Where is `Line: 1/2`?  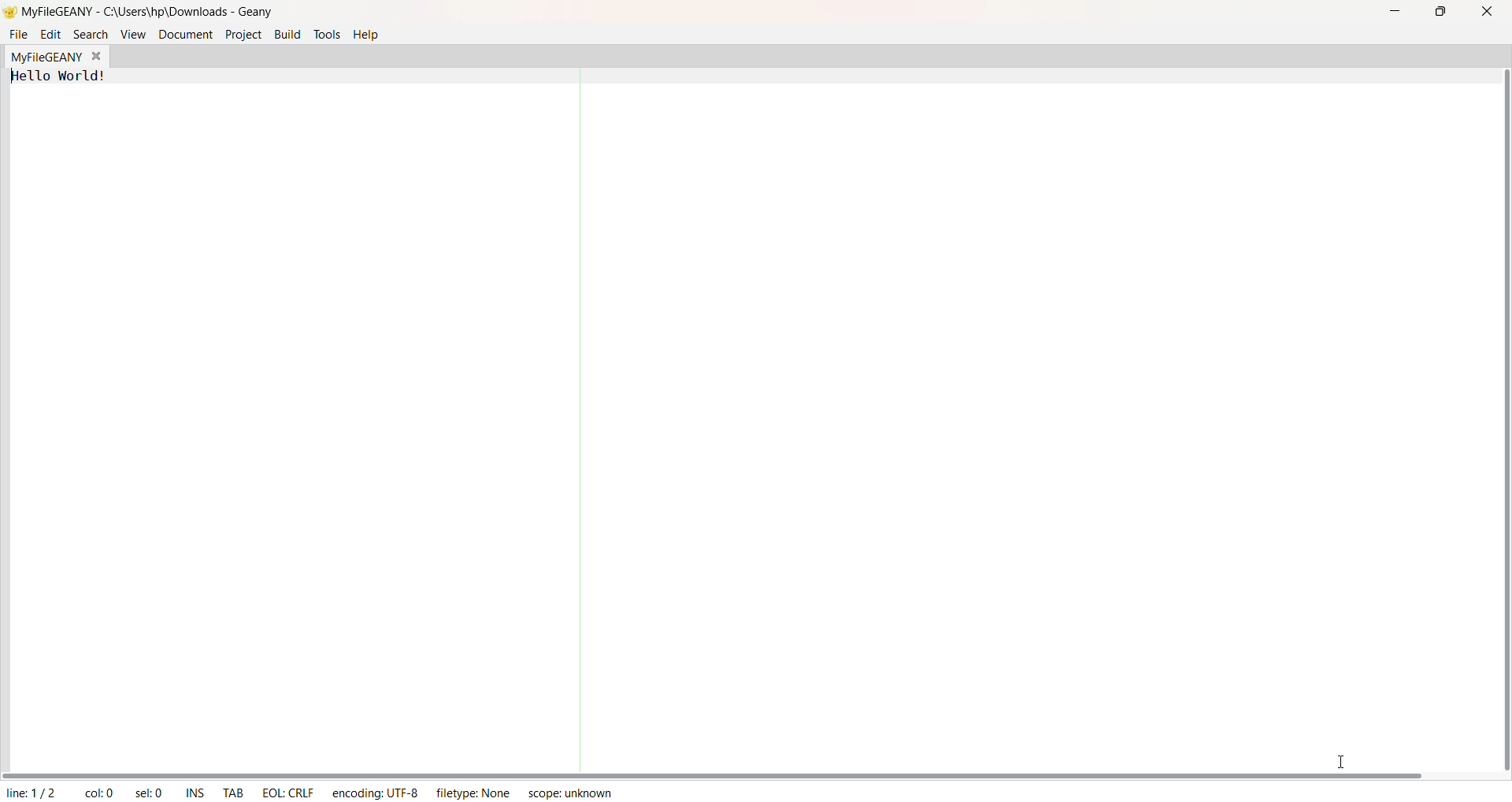 Line: 1/2 is located at coordinates (31, 793).